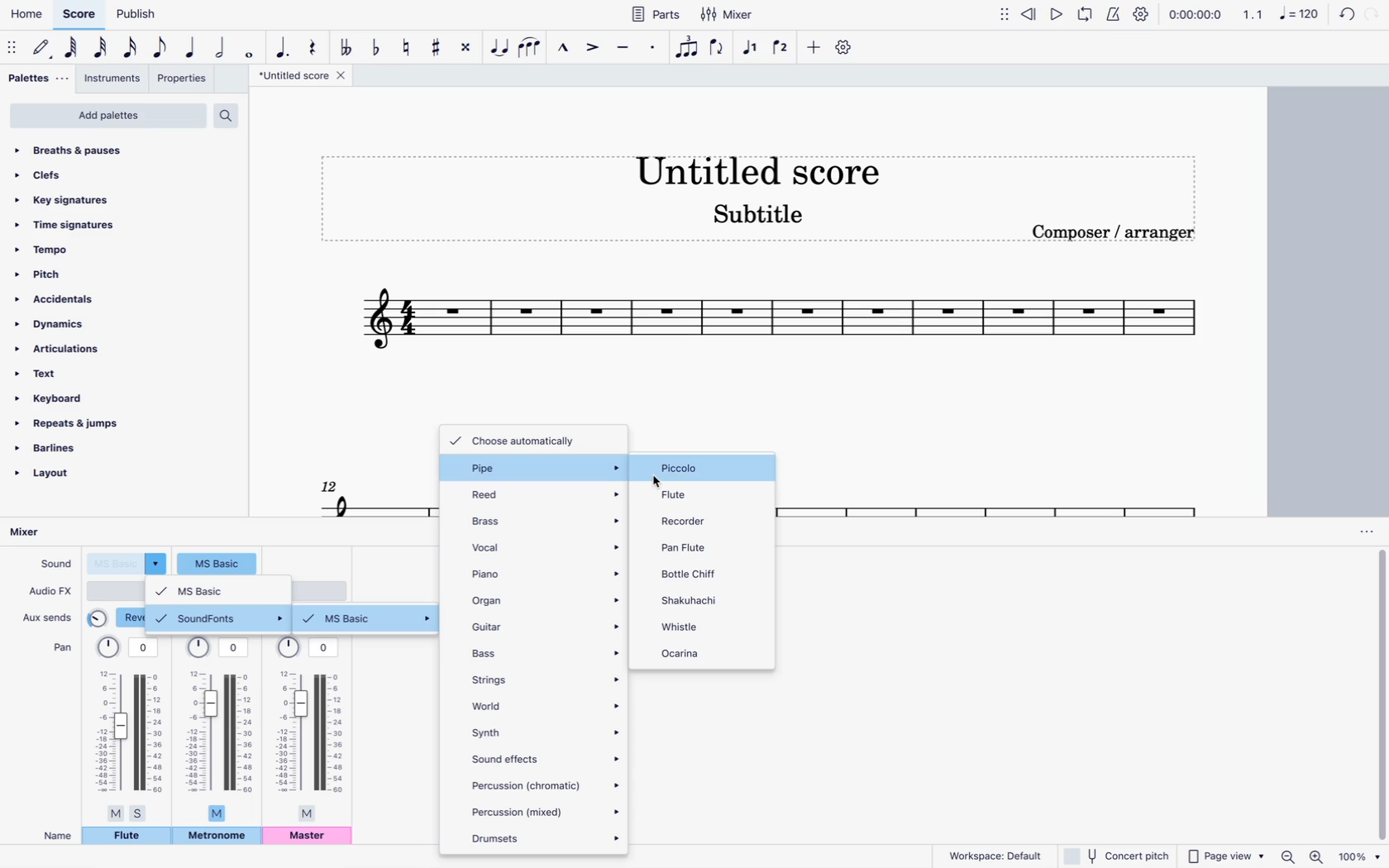  Describe the element at coordinates (1058, 13) in the screenshot. I see `play` at that location.